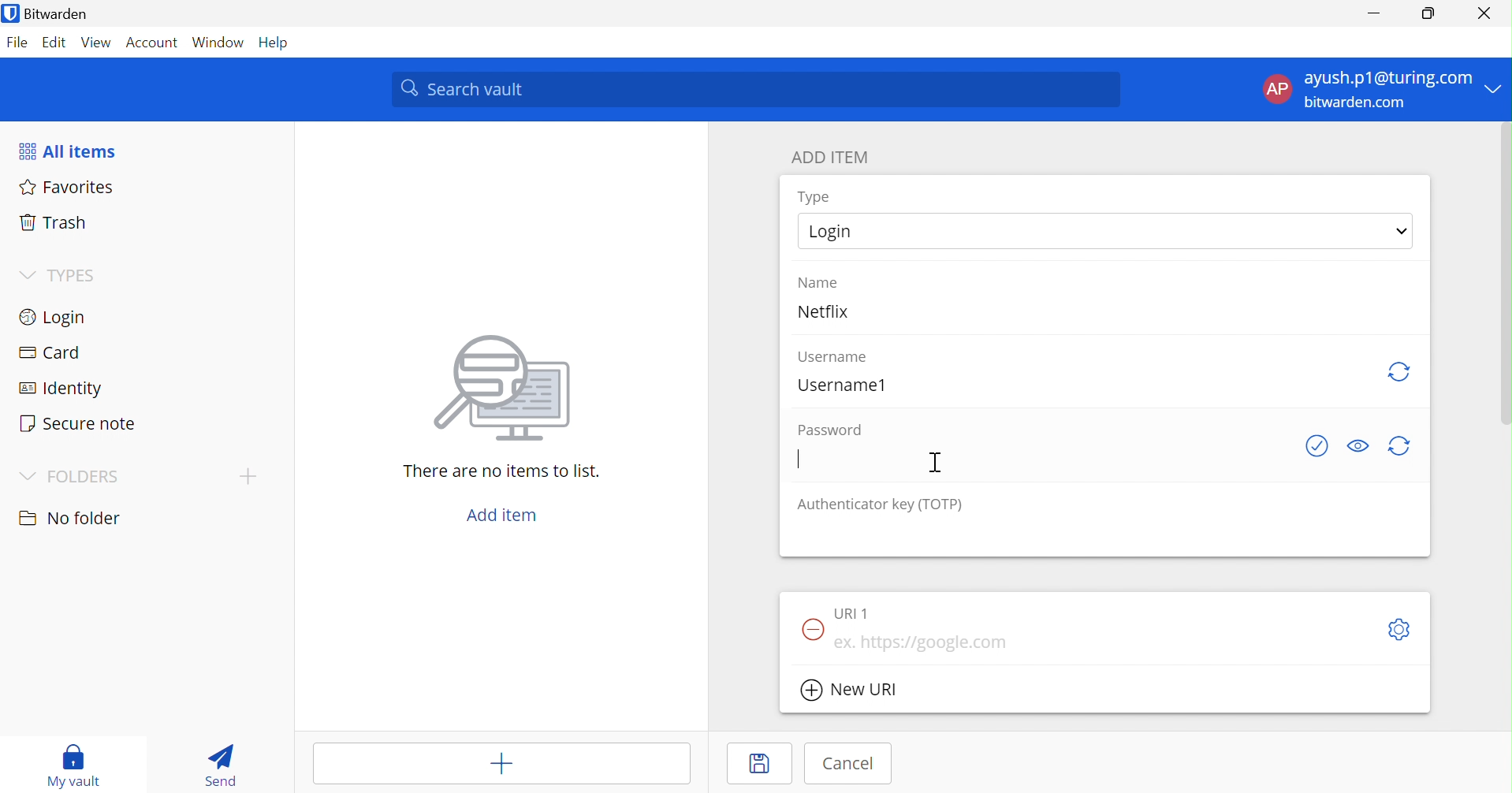 This screenshot has width=1512, height=793. What do you see at coordinates (799, 459) in the screenshot?
I see `Typing cursor` at bounding box center [799, 459].